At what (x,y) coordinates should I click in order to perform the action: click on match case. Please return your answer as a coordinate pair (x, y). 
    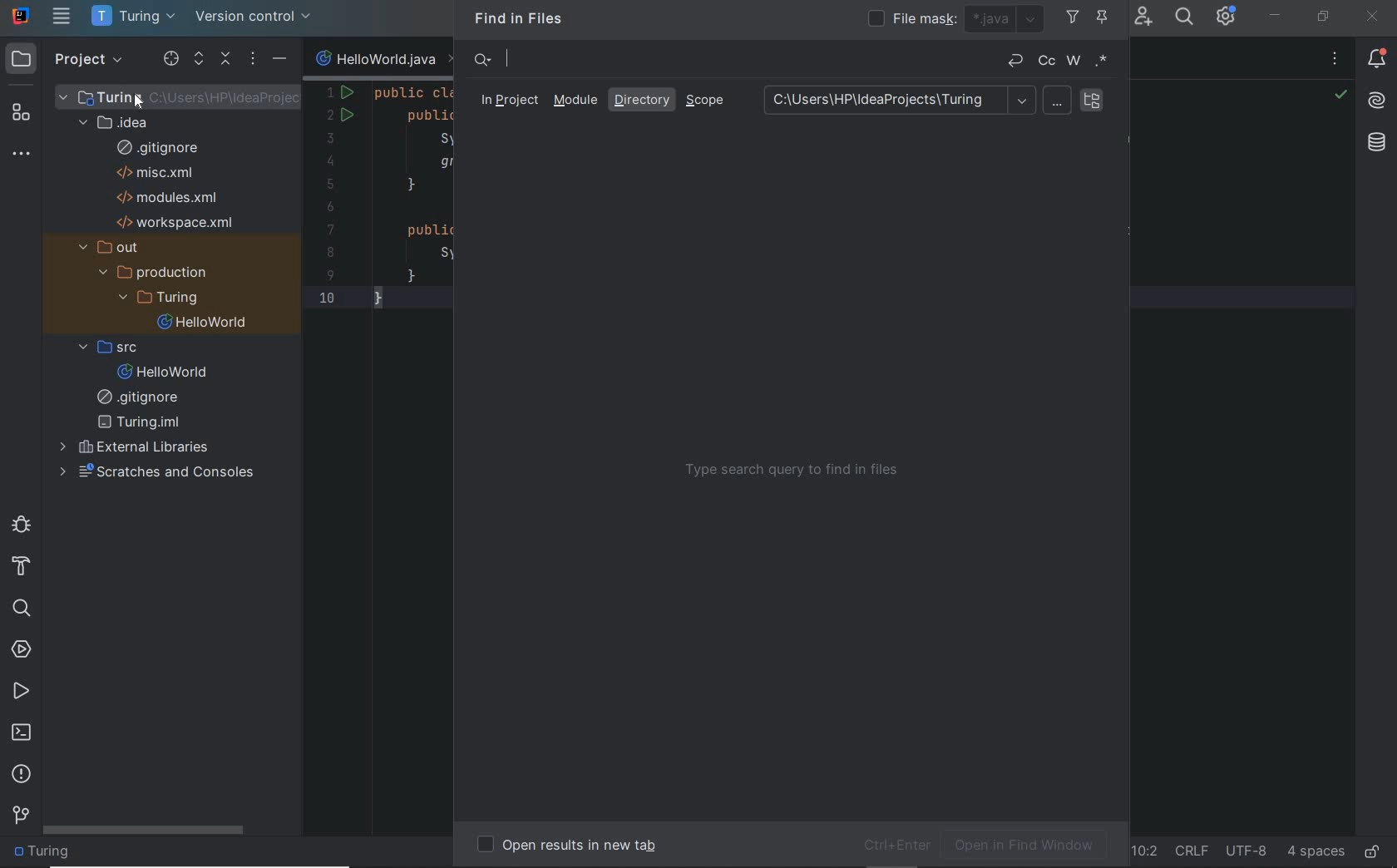
    Looking at the image, I should click on (1048, 60).